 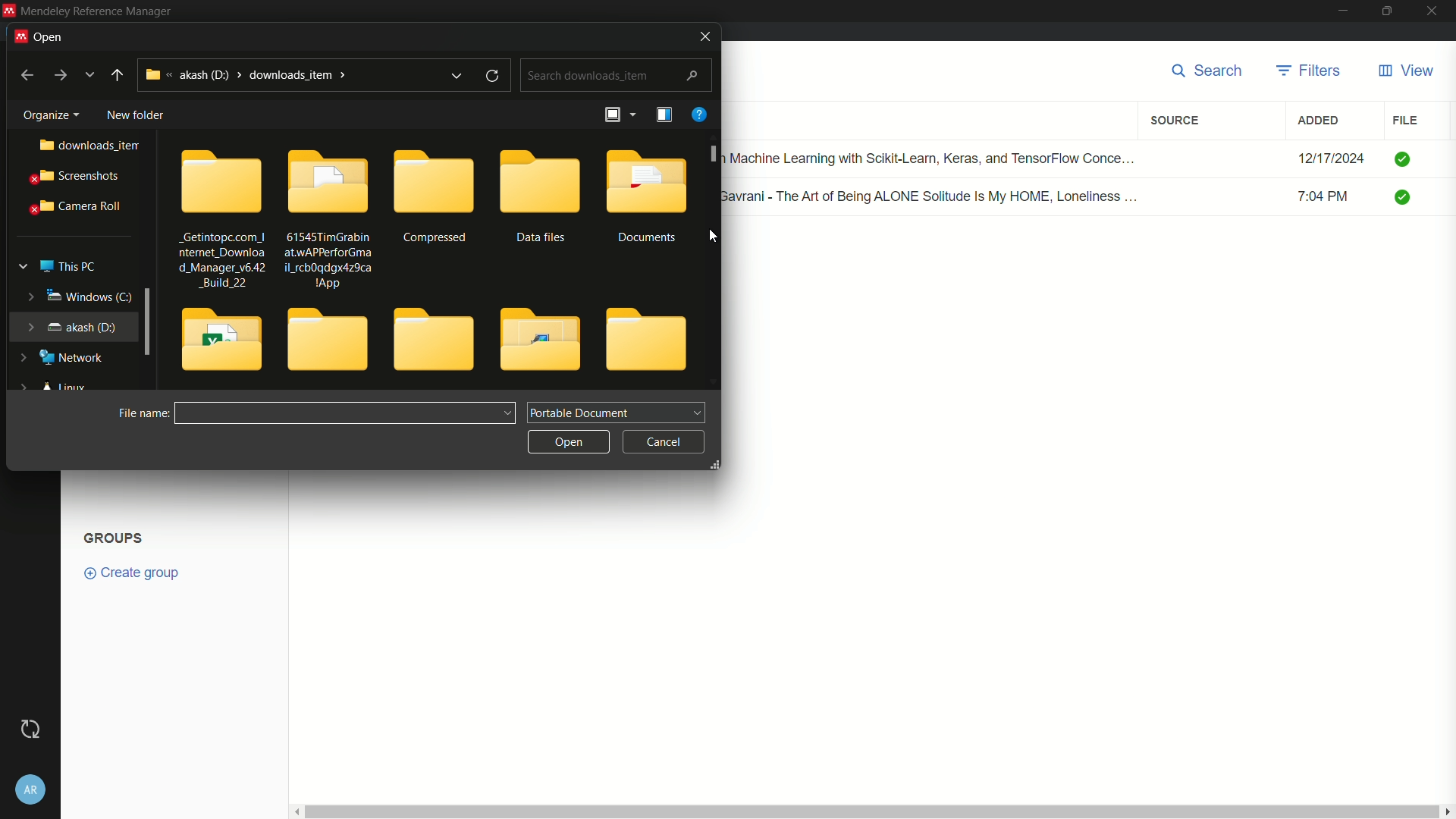 What do you see at coordinates (118, 75) in the screenshot?
I see `up to` at bounding box center [118, 75].